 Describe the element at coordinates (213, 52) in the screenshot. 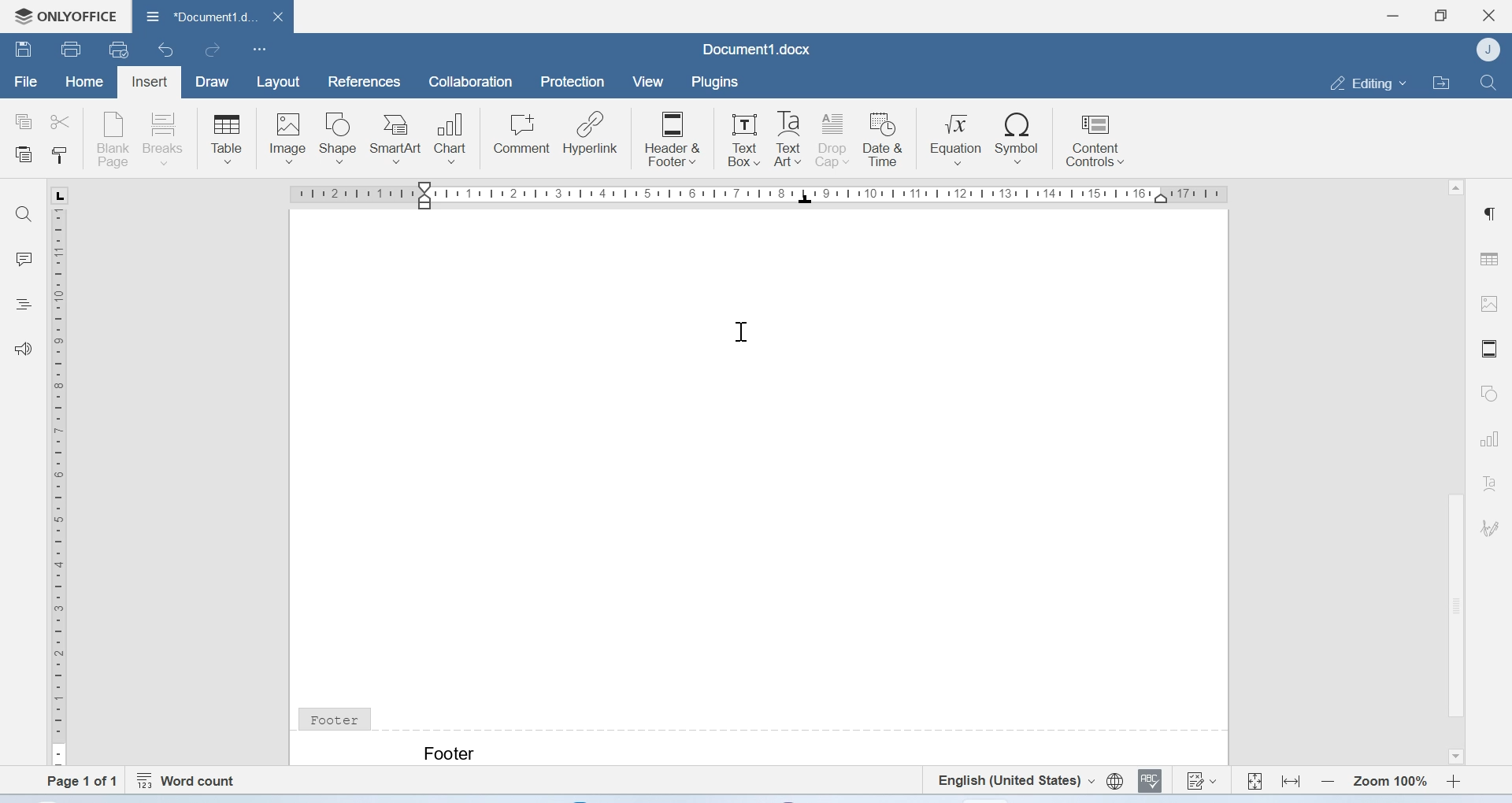

I see `redo` at that location.